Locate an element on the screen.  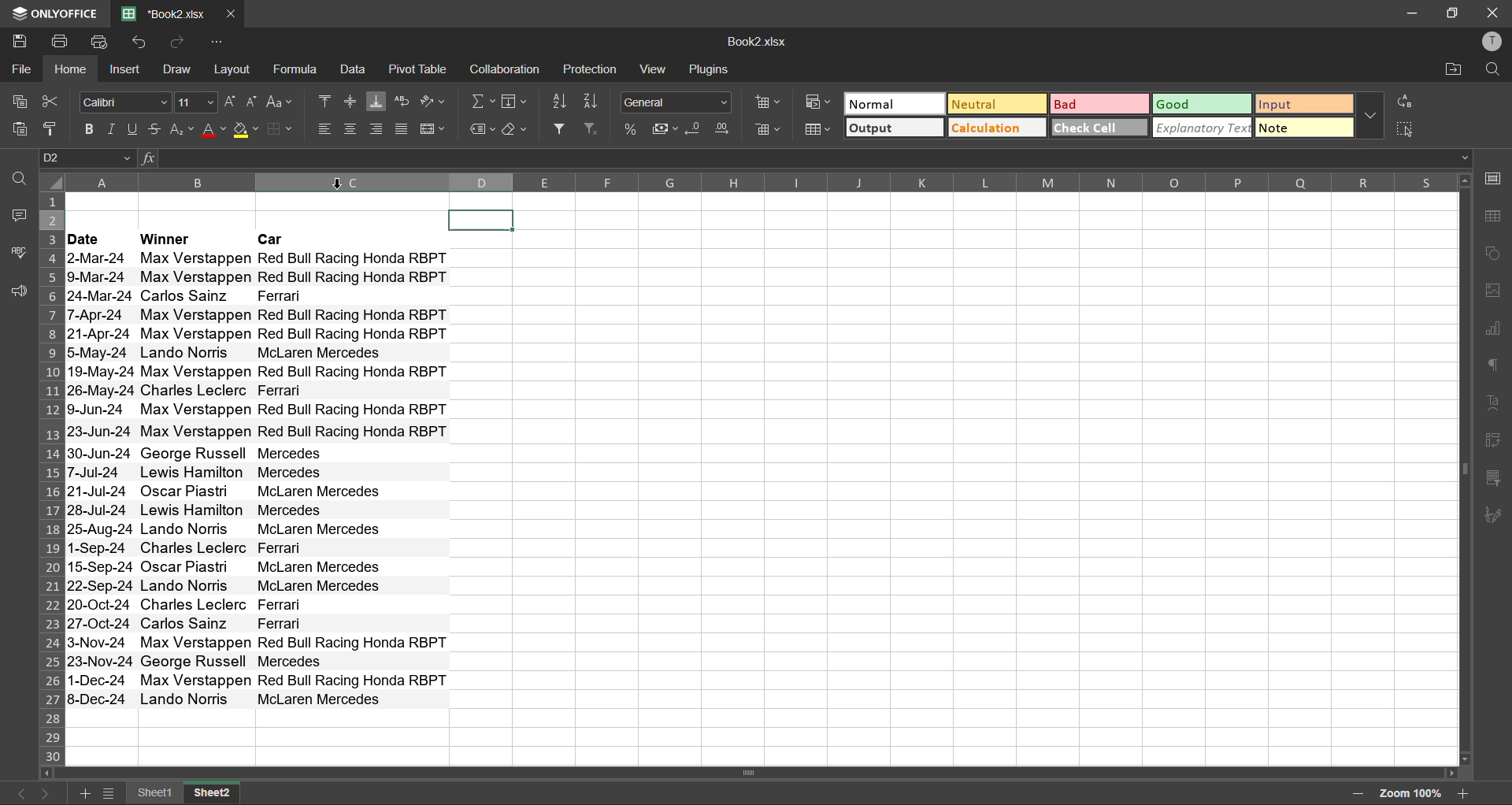
copy is located at coordinates (23, 102).